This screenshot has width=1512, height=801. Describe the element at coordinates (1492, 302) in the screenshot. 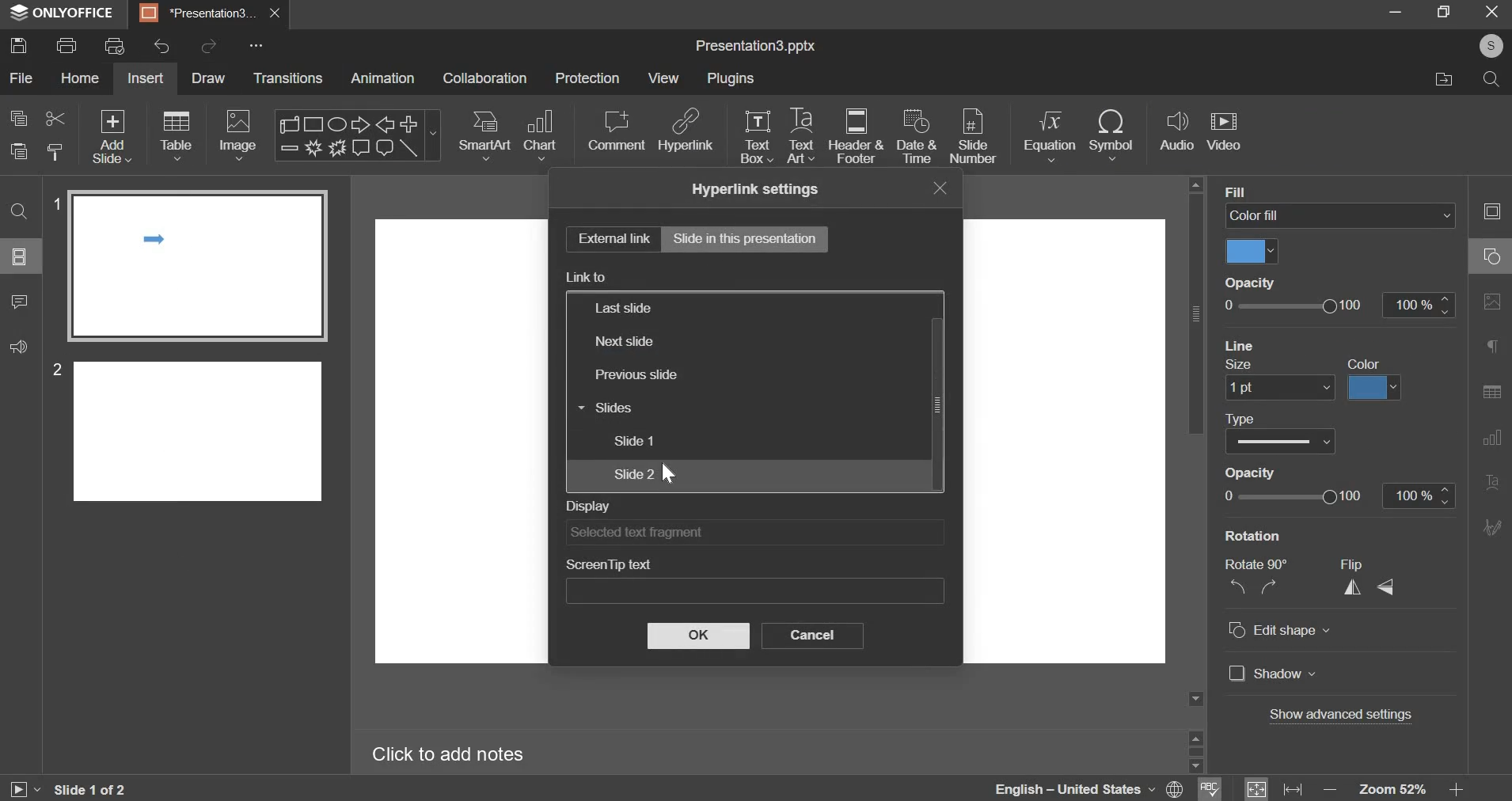

I see `Image settings` at that location.